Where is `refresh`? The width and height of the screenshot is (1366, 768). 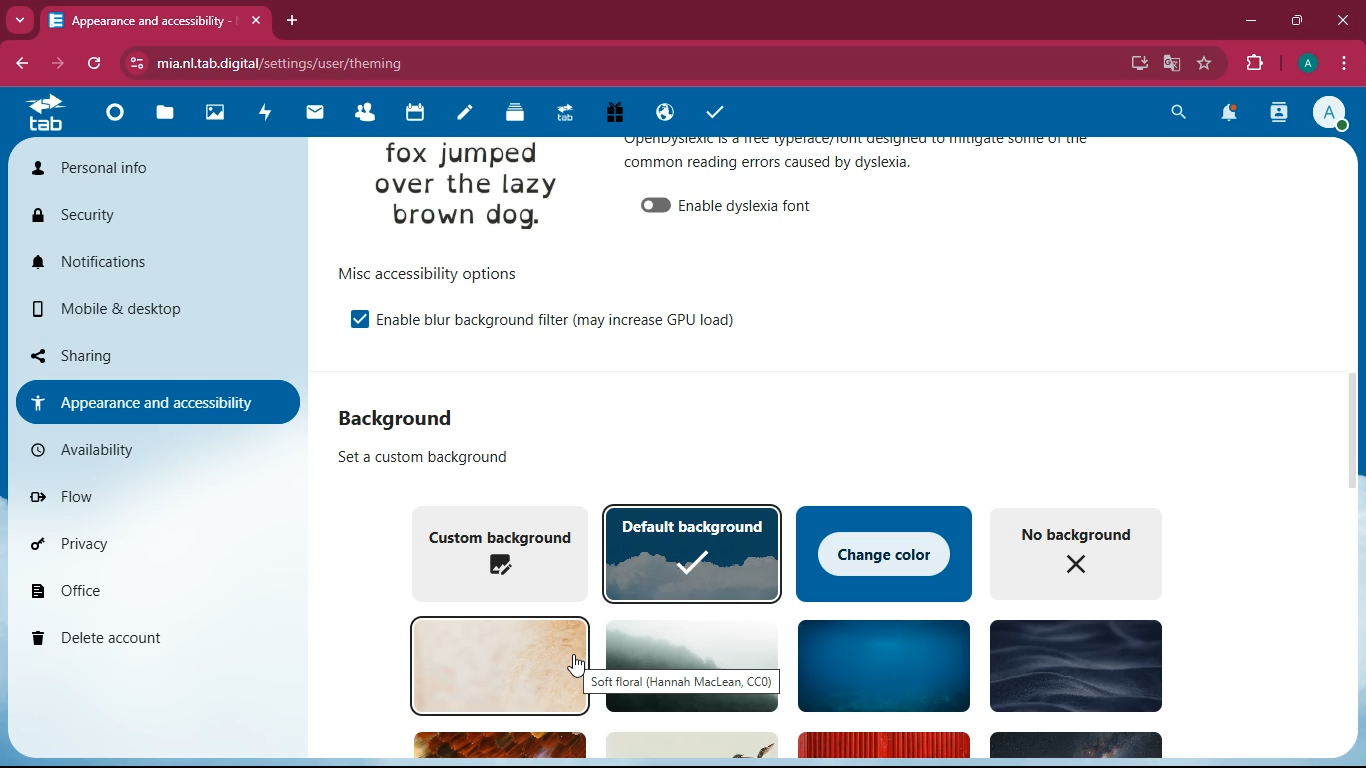
refresh is located at coordinates (94, 63).